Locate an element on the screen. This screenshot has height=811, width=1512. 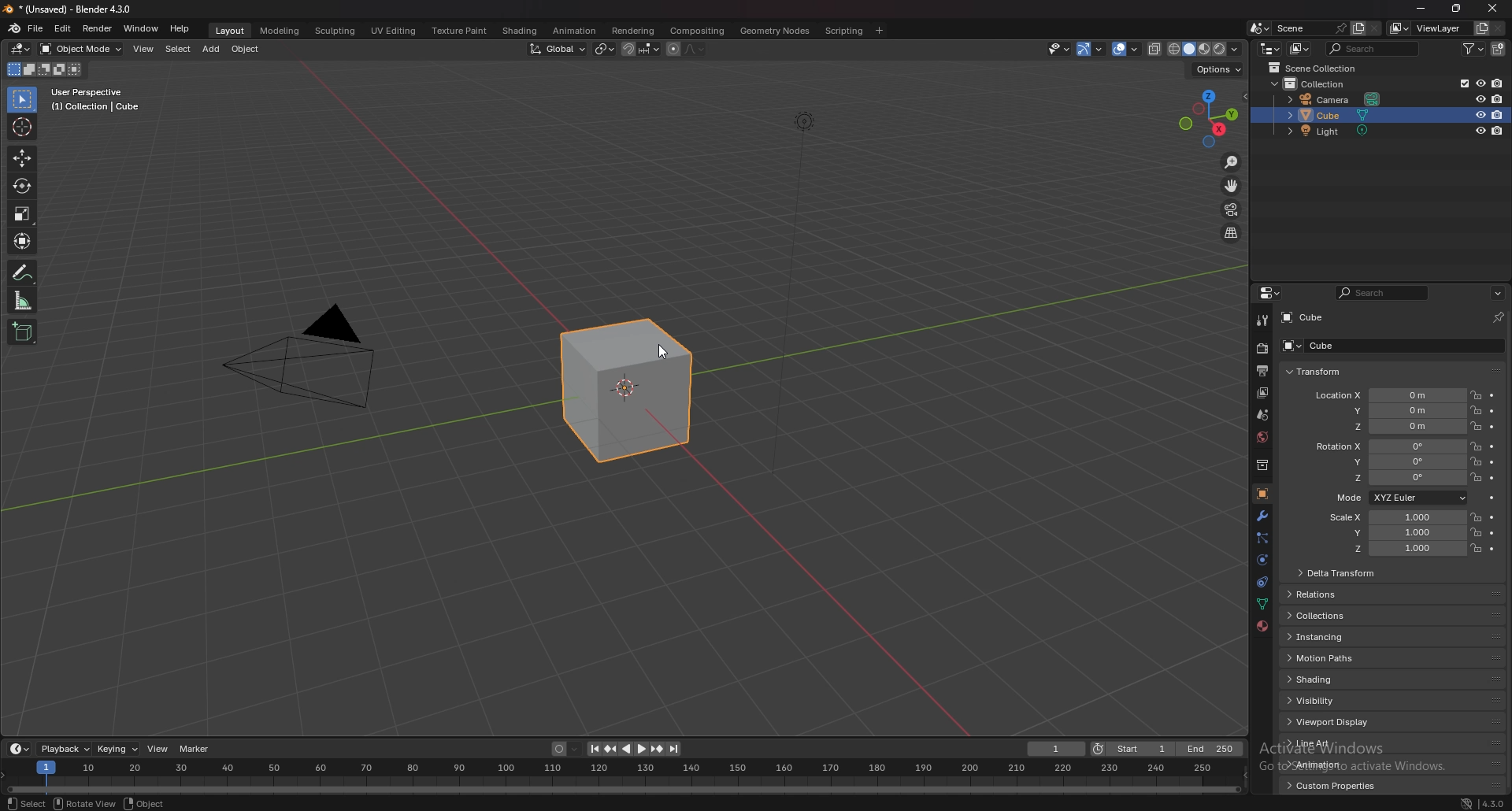
keying is located at coordinates (117, 750).